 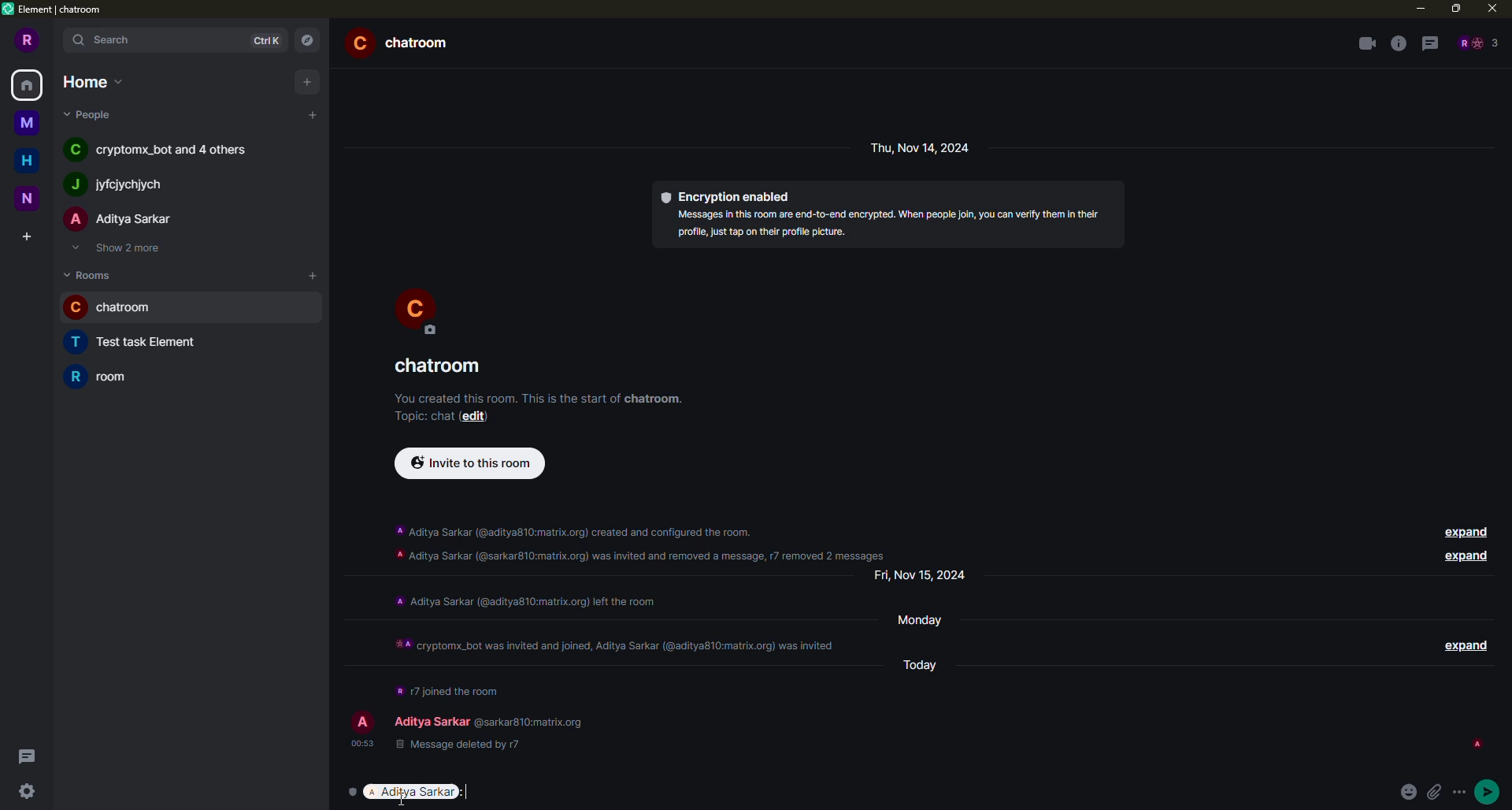 What do you see at coordinates (1476, 744) in the screenshot?
I see `seen` at bounding box center [1476, 744].